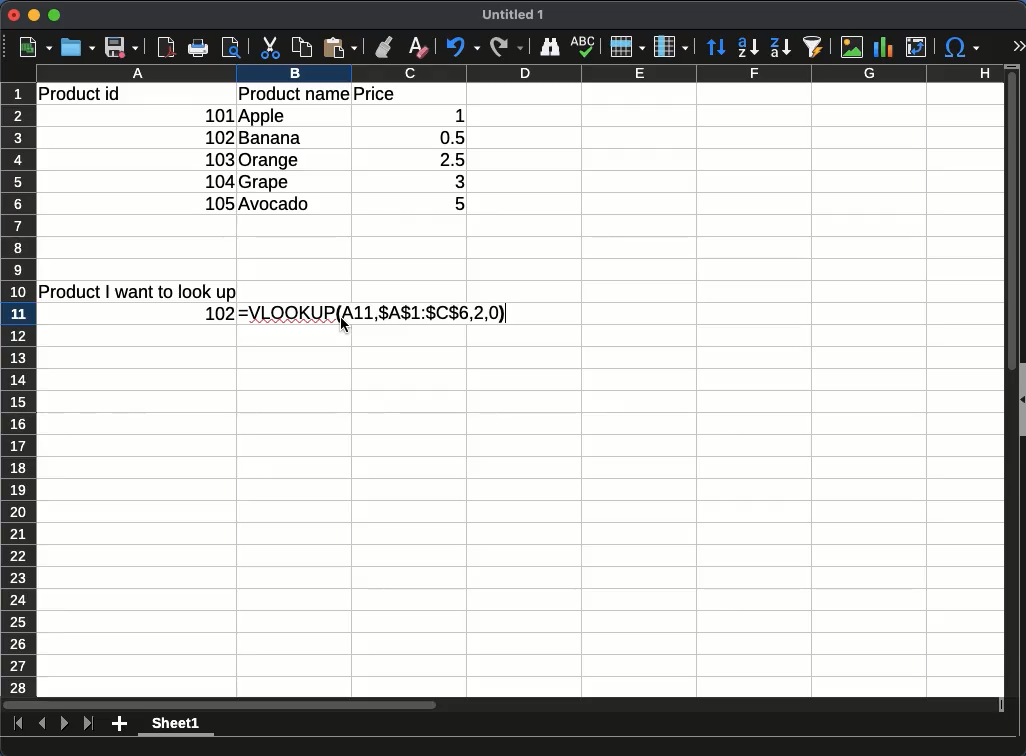  Describe the element at coordinates (449, 203) in the screenshot. I see `5` at that location.